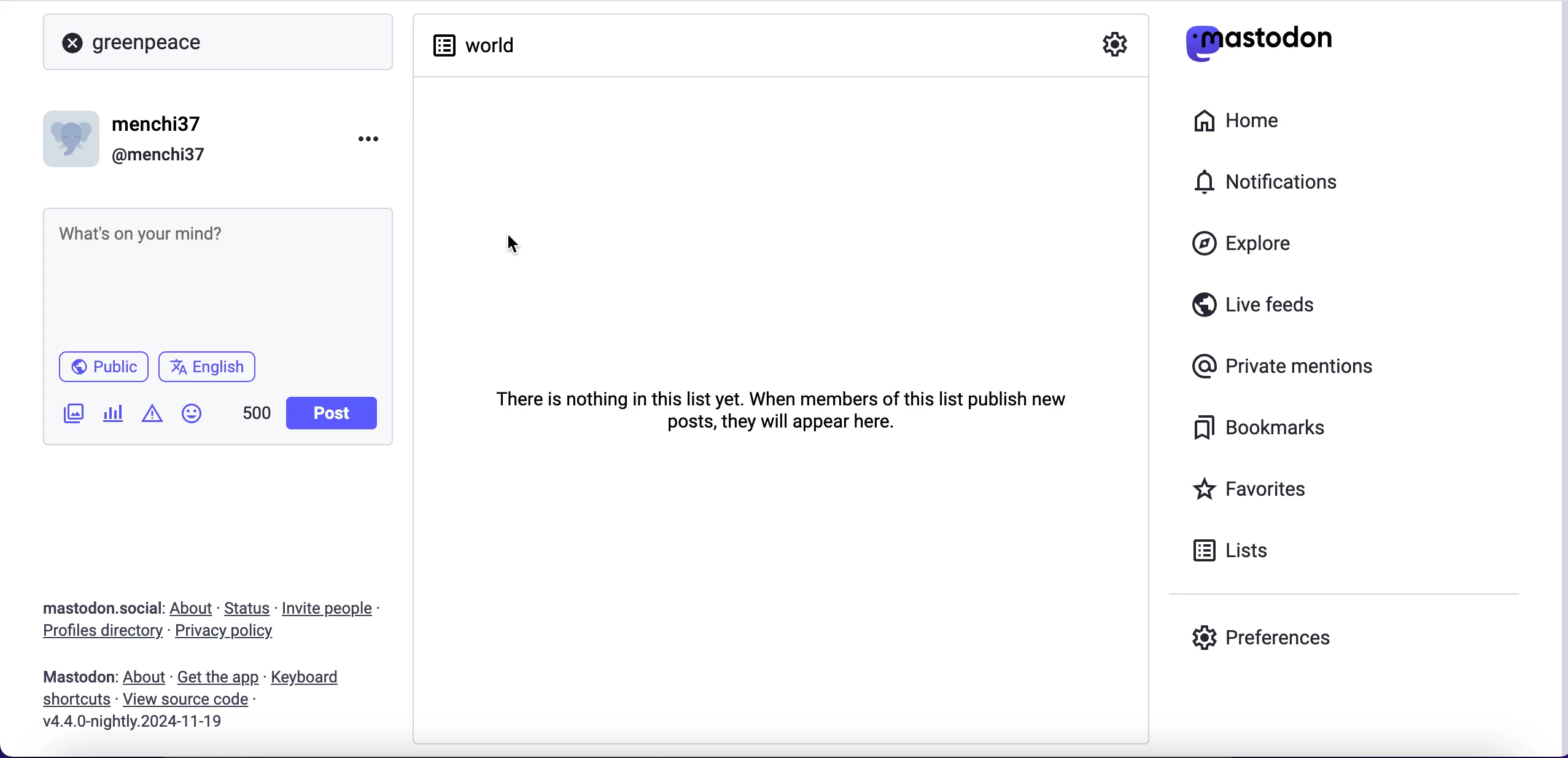 Image resolution: width=1568 pixels, height=758 pixels. What do you see at coordinates (309, 679) in the screenshot?
I see `keyboard` at bounding box center [309, 679].